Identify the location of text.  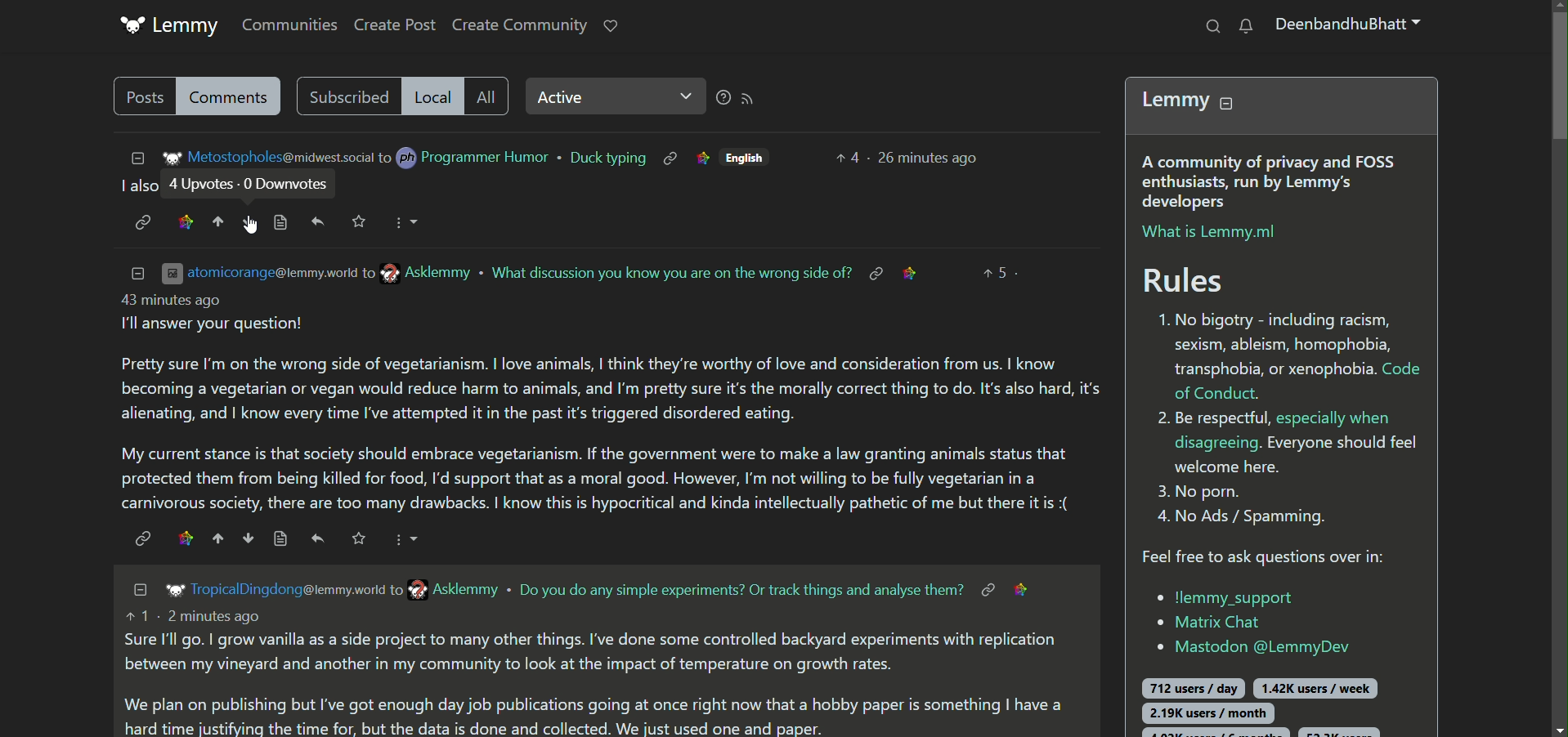
(611, 407).